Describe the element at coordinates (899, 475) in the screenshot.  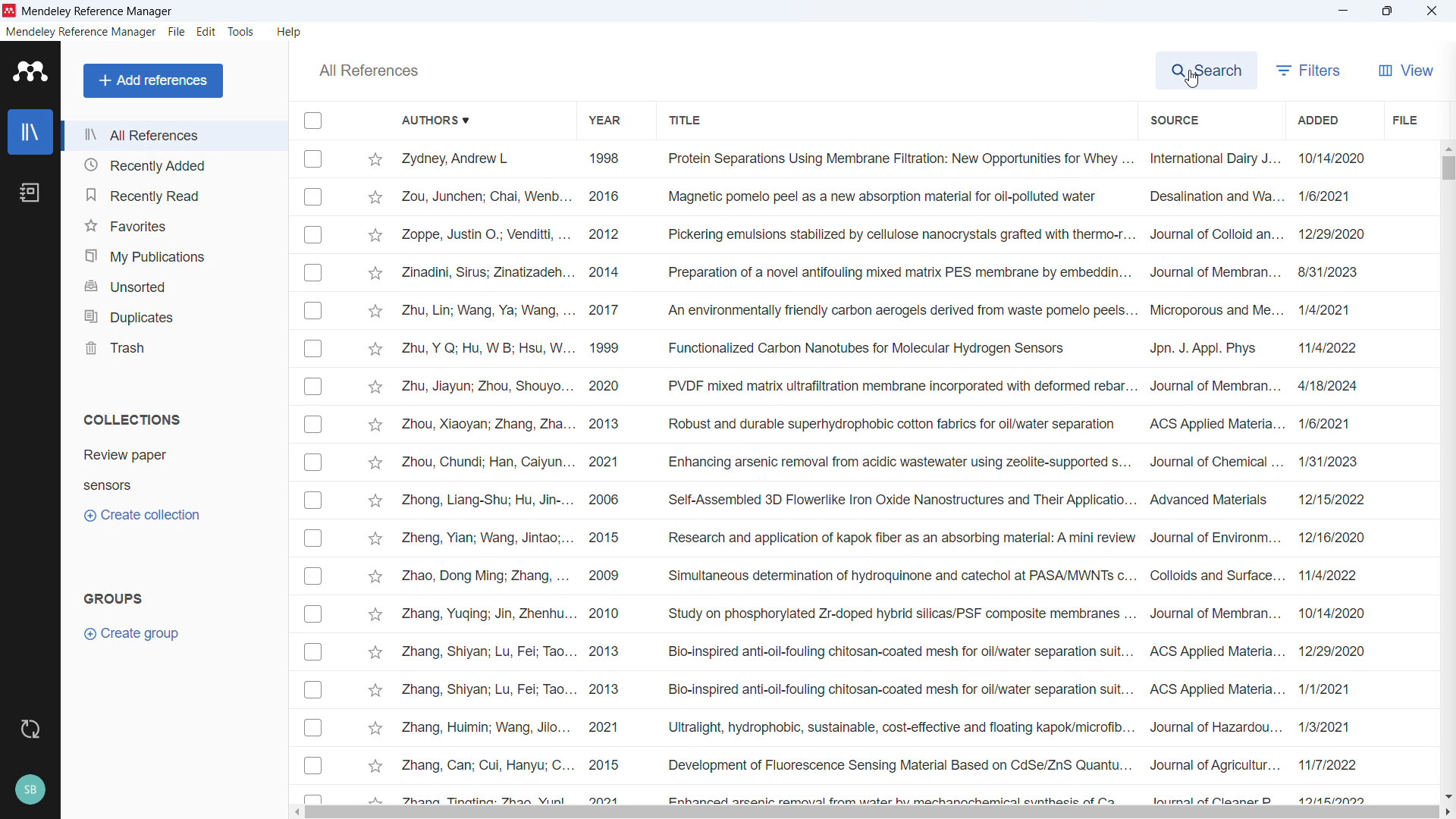
I see `Title of individual entries ` at that location.